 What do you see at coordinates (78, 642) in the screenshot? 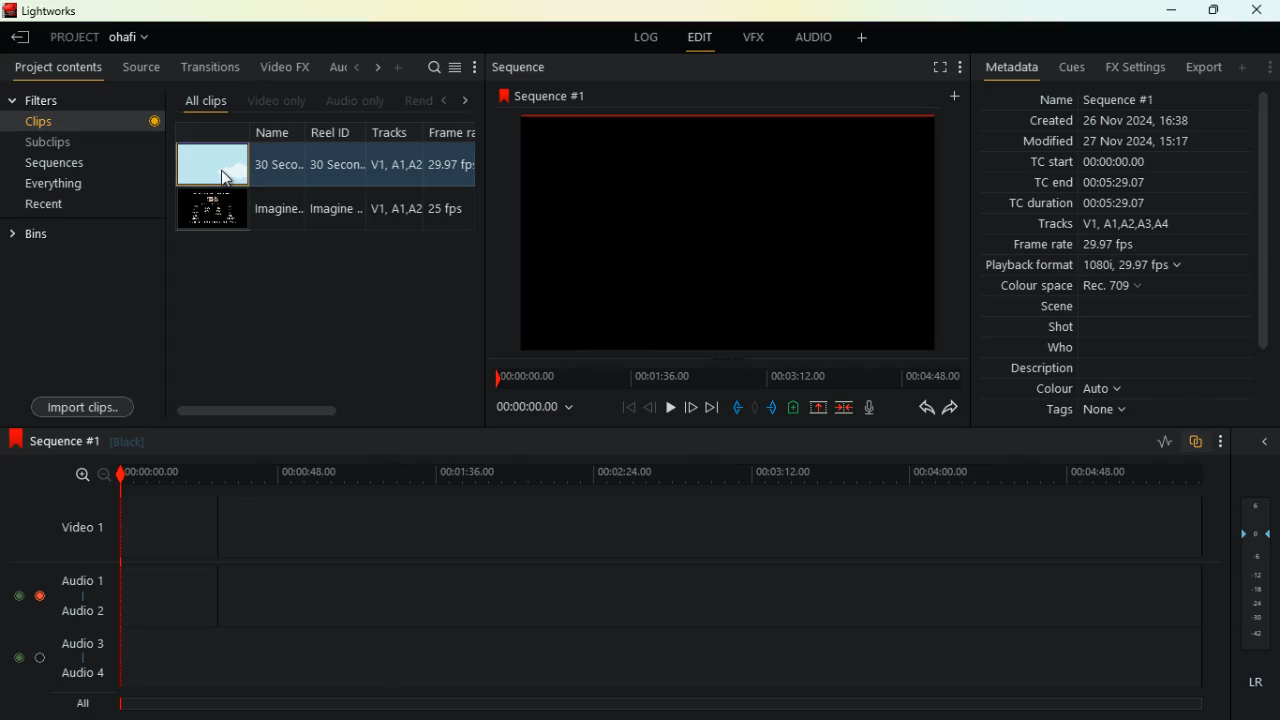
I see `audio3` at bounding box center [78, 642].